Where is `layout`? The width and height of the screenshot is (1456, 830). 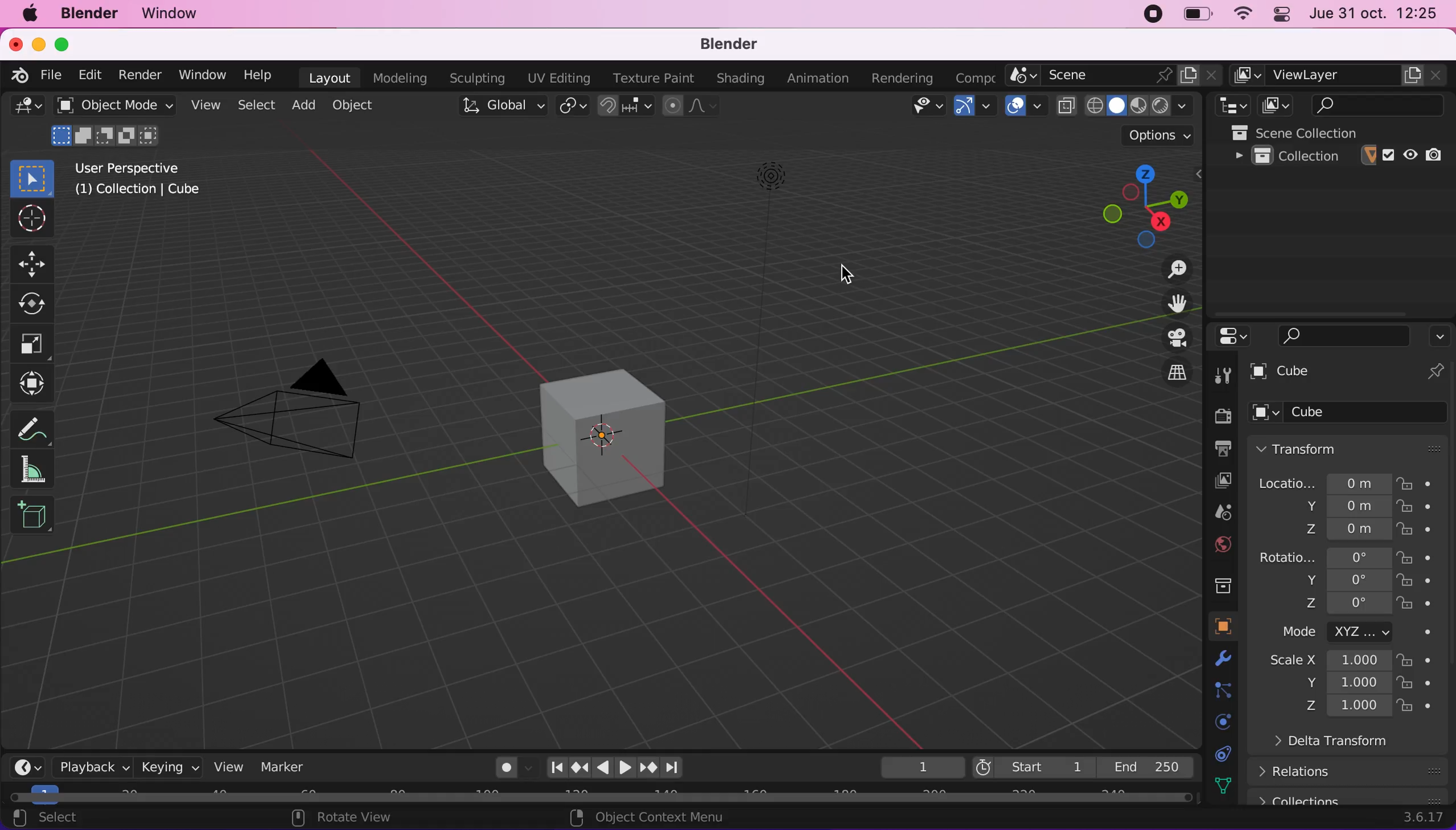
layout is located at coordinates (325, 77).